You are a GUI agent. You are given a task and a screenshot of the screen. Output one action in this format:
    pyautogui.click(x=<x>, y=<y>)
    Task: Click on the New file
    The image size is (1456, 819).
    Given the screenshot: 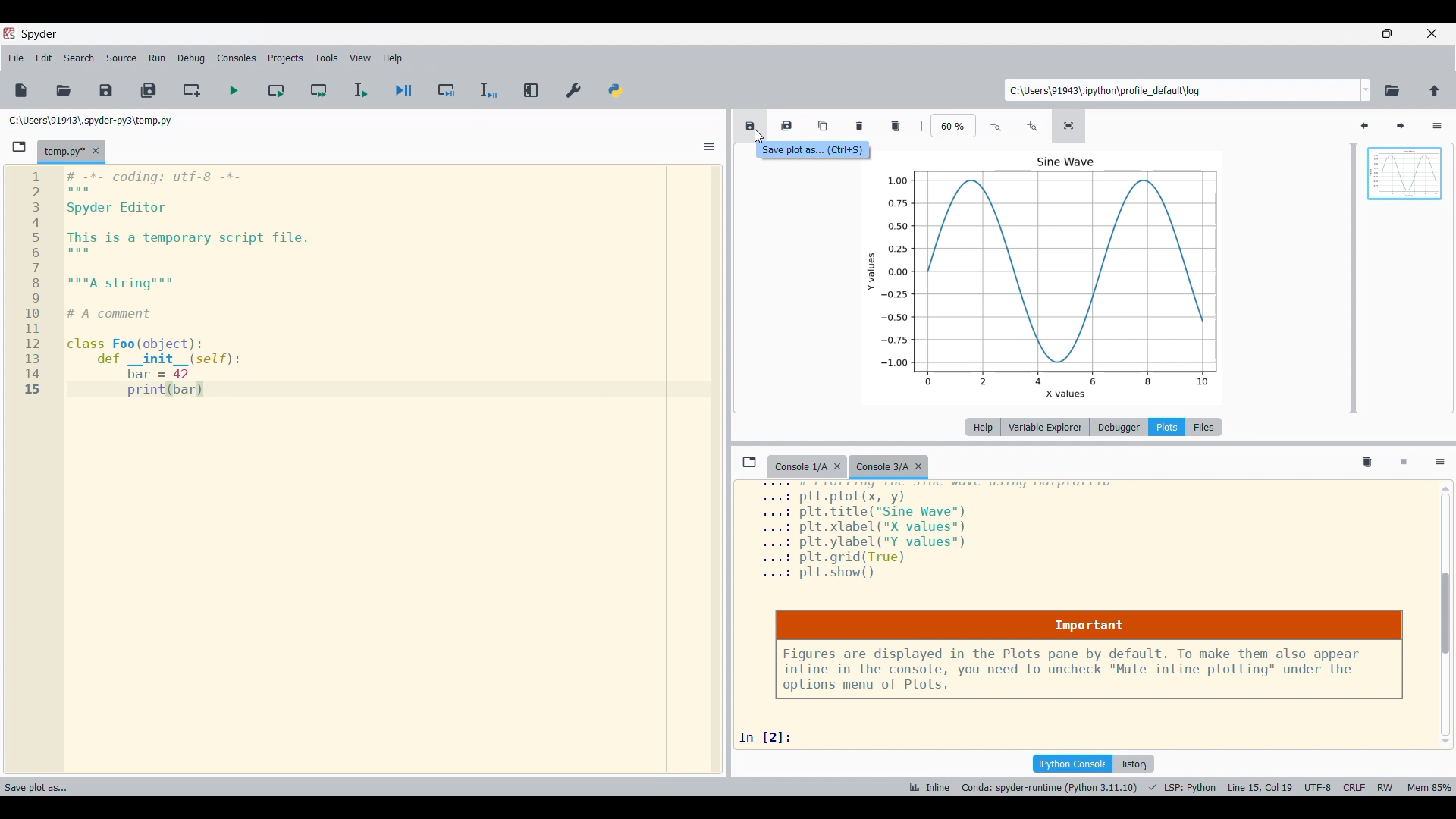 What is the action you would take?
    pyautogui.click(x=21, y=90)
    